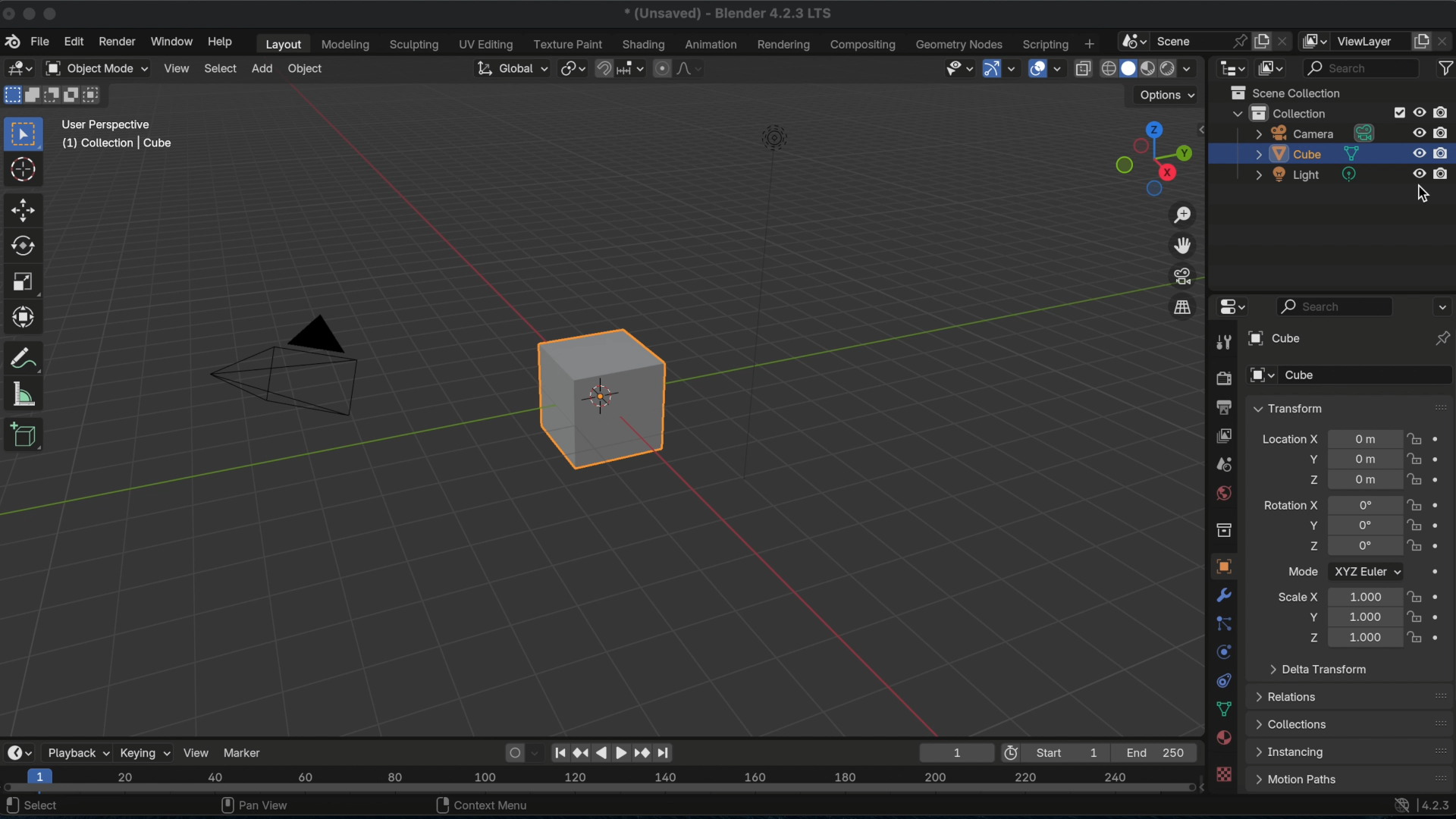 Image resolution: width=1456 pixels, height=819 pixels. What do you see at coordinates (559, 752) in the screenshot?
I see `jump to start` at bounding box center [559, 752].